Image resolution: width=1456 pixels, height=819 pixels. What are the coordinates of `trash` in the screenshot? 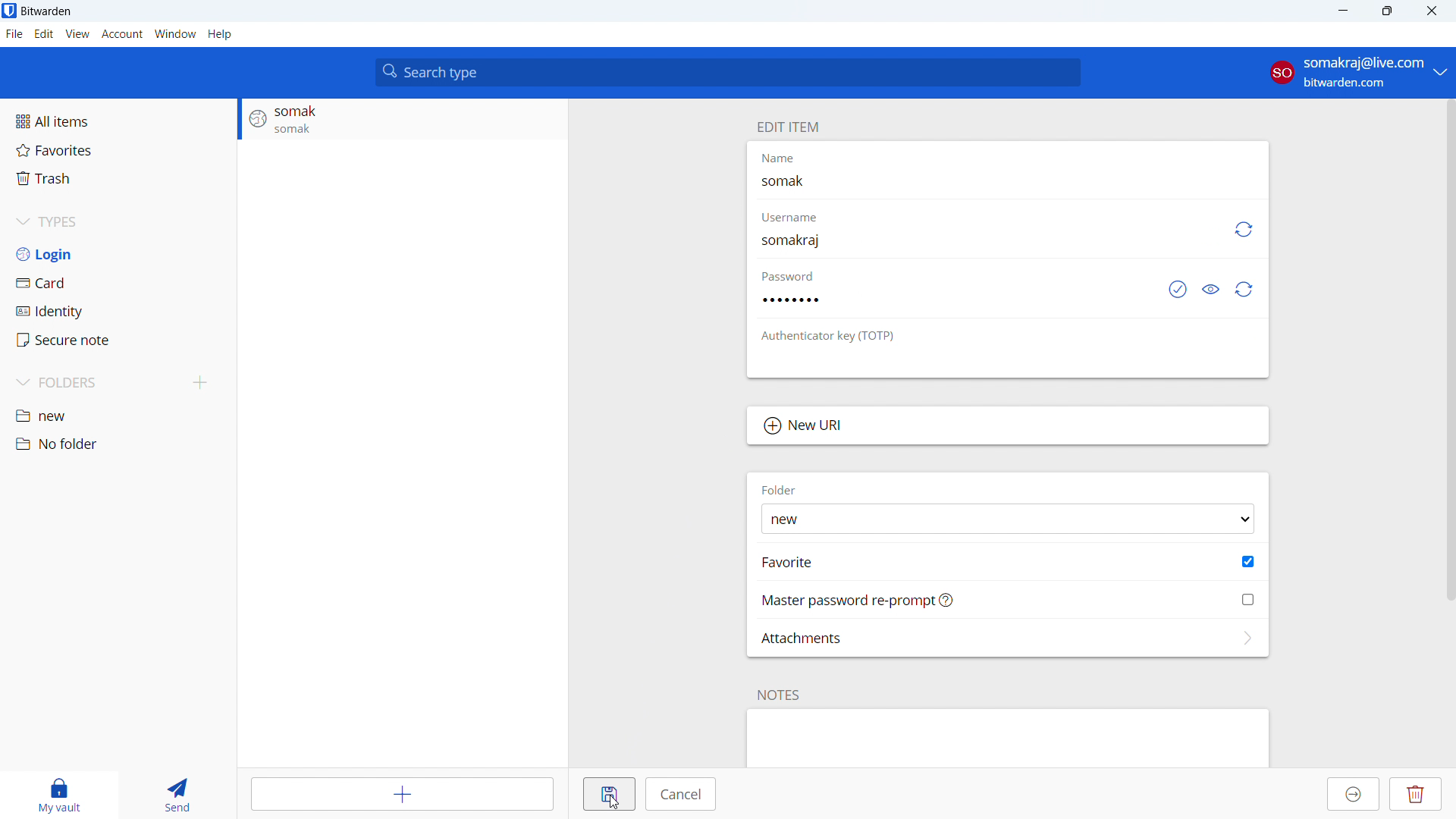 It's located at (118, 178).